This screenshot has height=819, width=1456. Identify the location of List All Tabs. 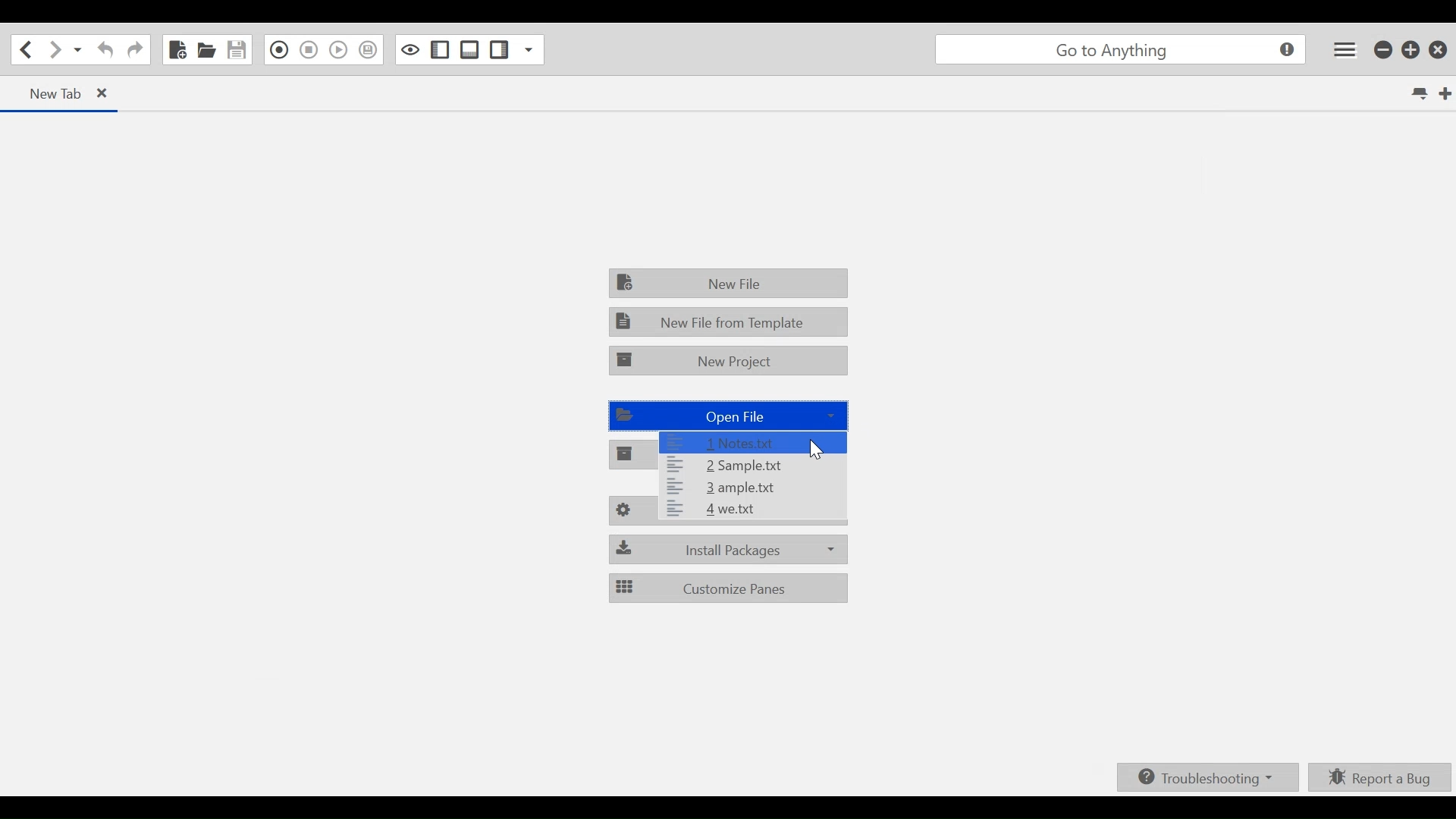
(1421, 93).